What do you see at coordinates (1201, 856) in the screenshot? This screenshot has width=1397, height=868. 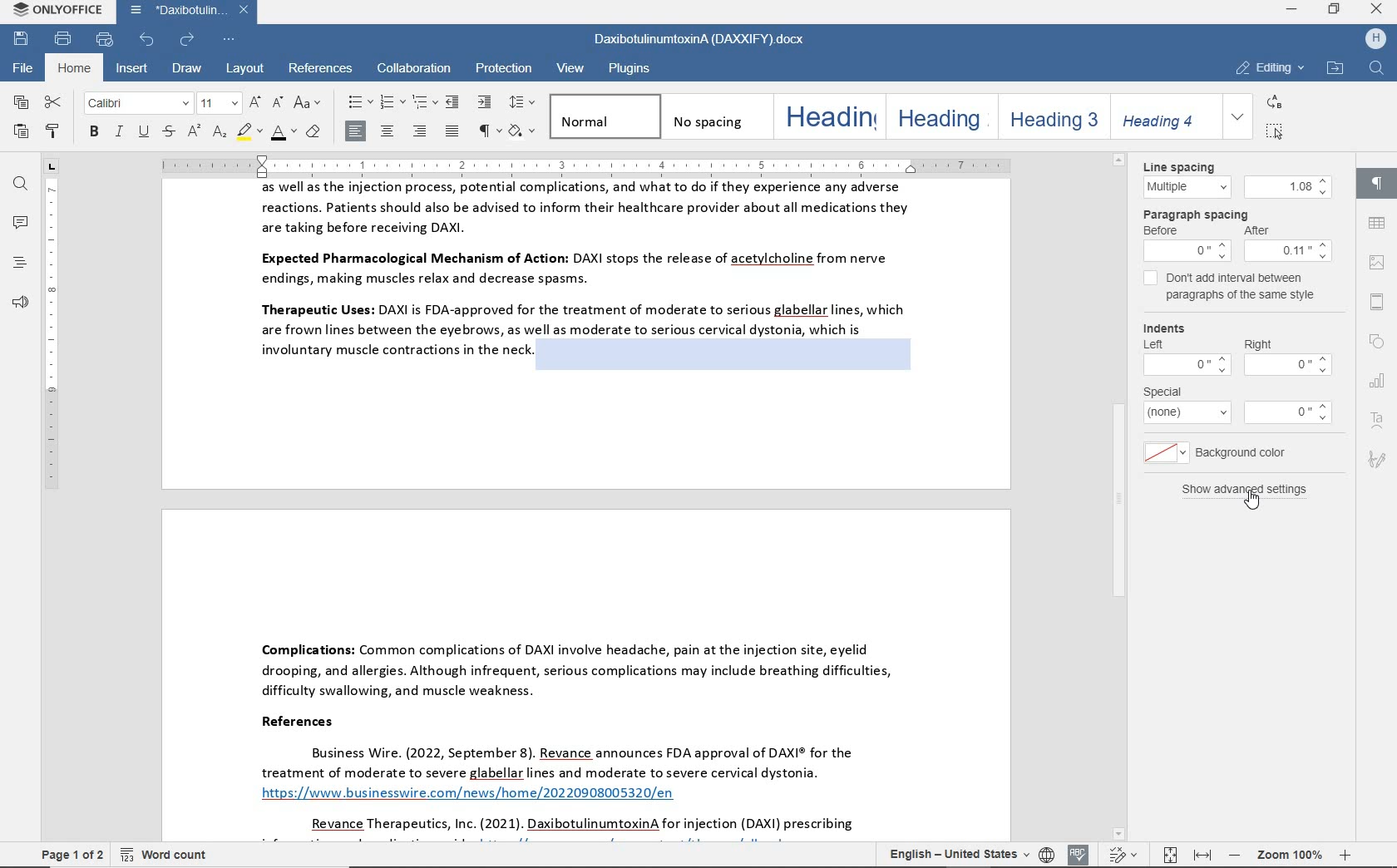 I see `fit to width` at bounding box center [1201, 856].